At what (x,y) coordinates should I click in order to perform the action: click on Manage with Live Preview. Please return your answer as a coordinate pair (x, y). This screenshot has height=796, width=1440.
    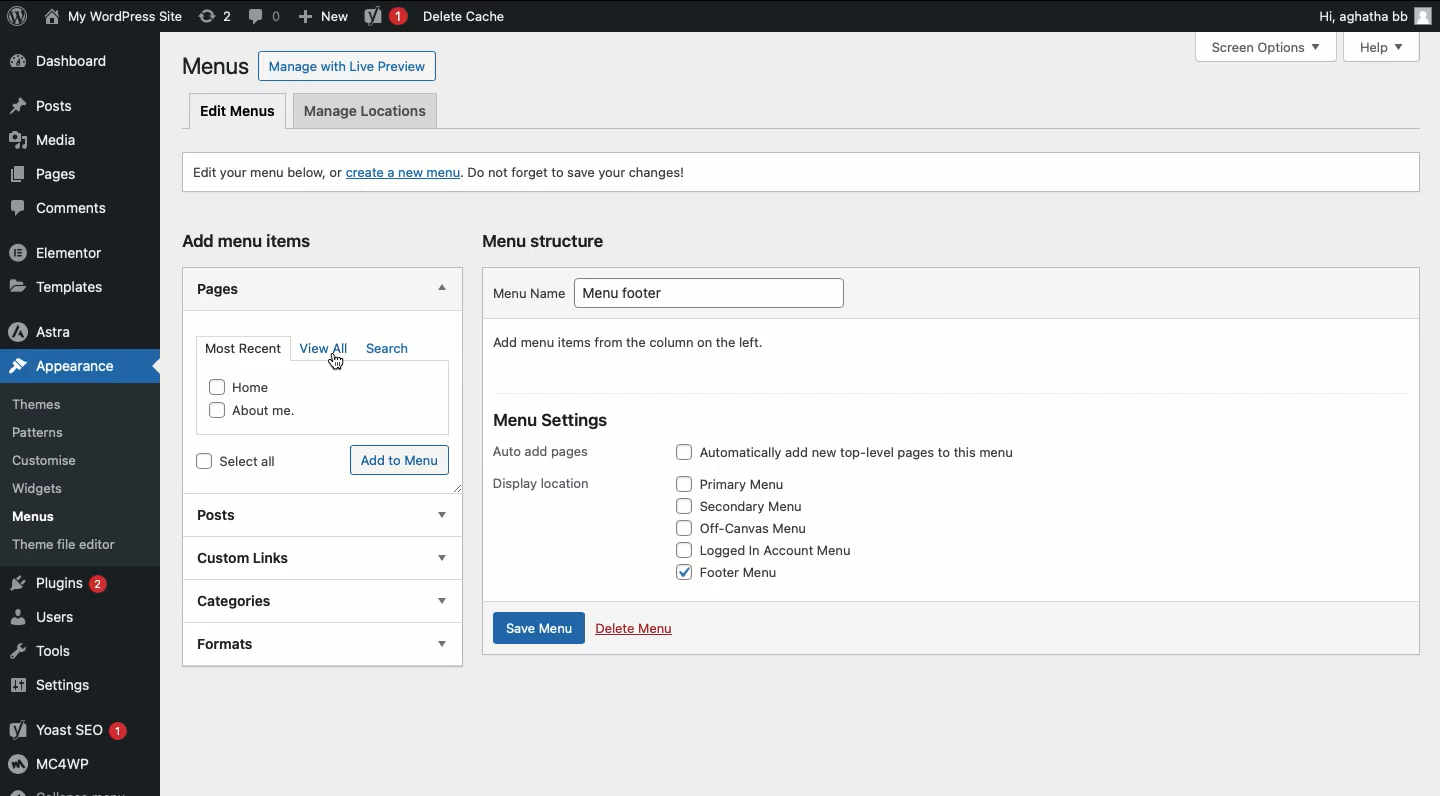
    Looking at the image, I should click on (347, 65).